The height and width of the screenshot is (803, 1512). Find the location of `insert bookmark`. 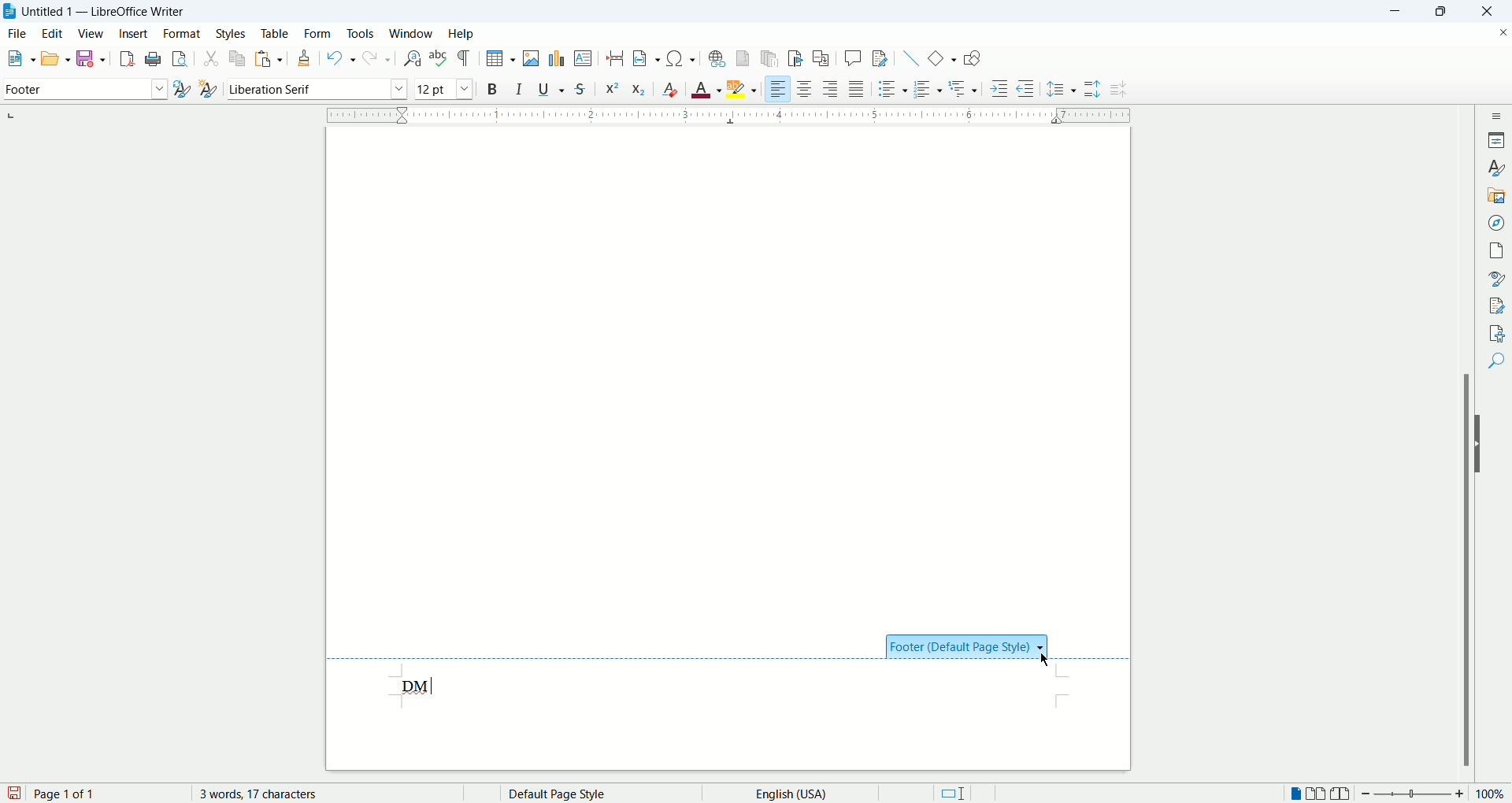

insert bookmark is located at coordinates (799, 58).